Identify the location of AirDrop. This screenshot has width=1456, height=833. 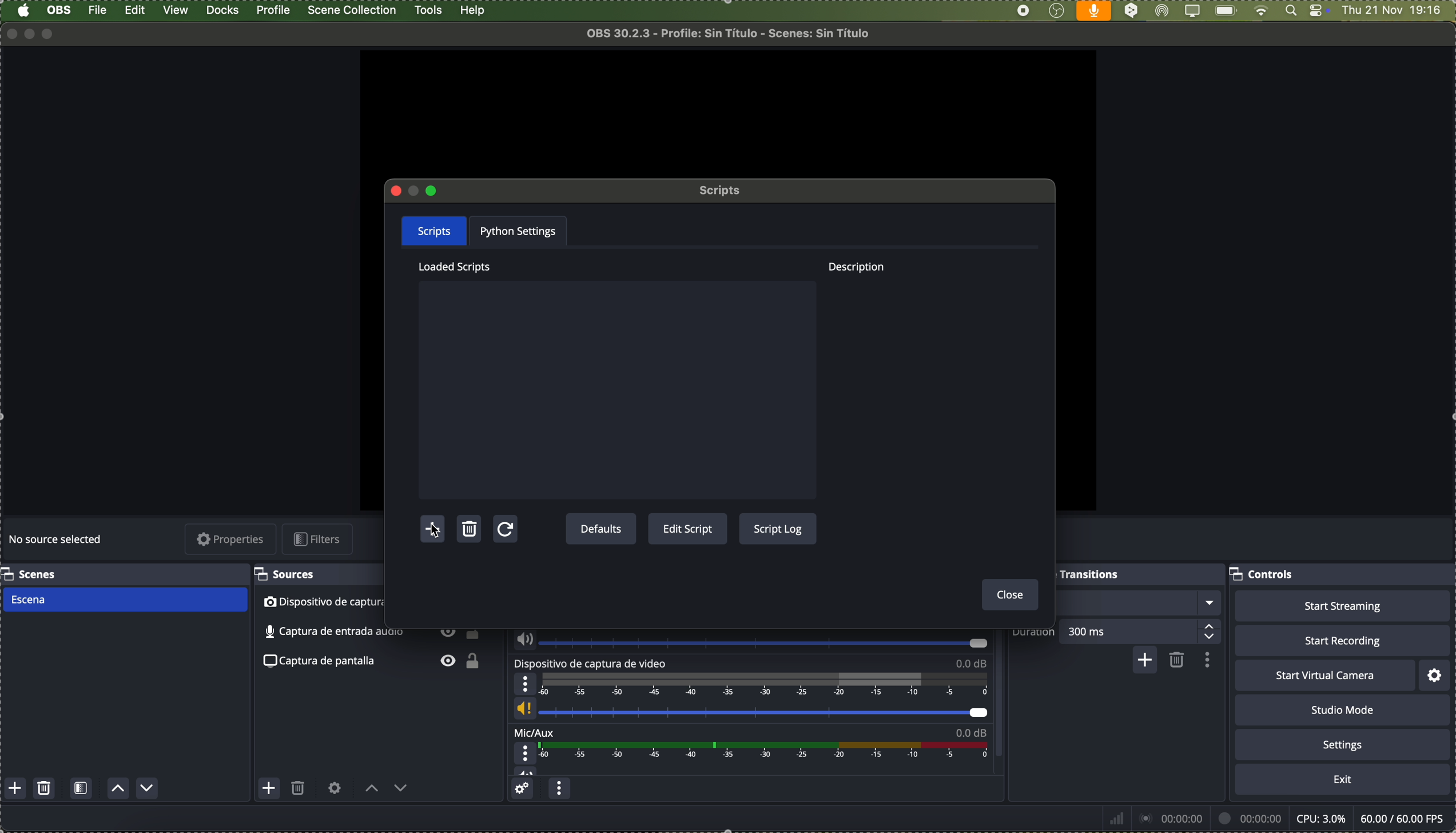
(1163, 11).